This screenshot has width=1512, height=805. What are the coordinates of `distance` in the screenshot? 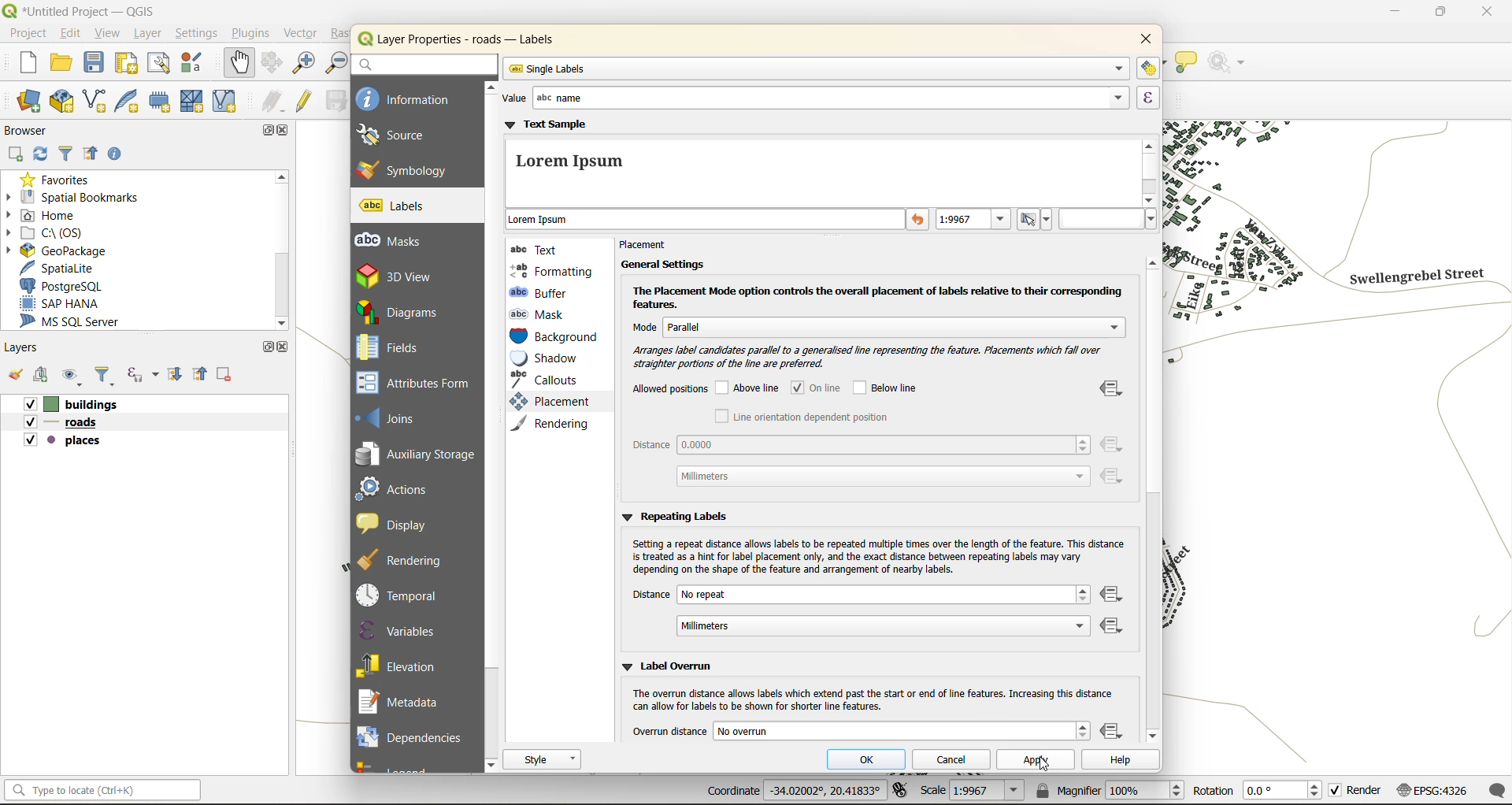 It's located at (860, 612).